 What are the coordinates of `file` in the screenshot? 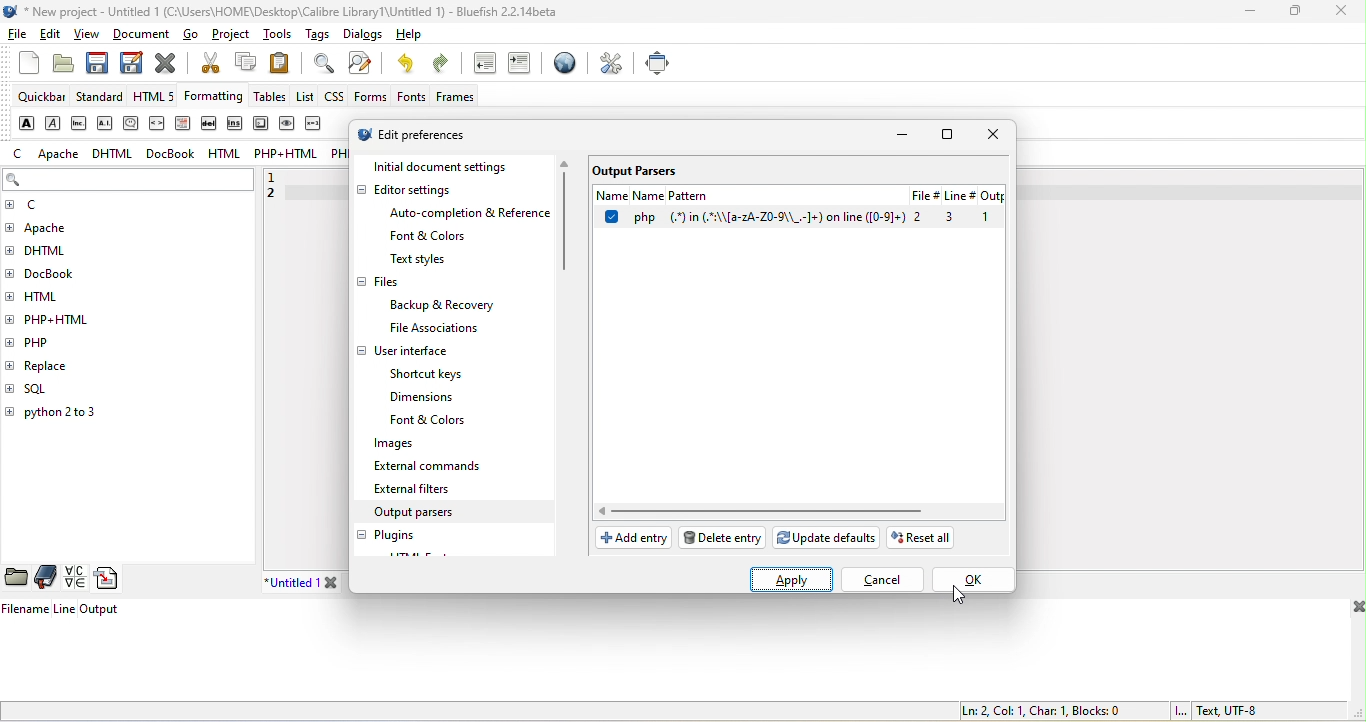 It's located at (16, 31).